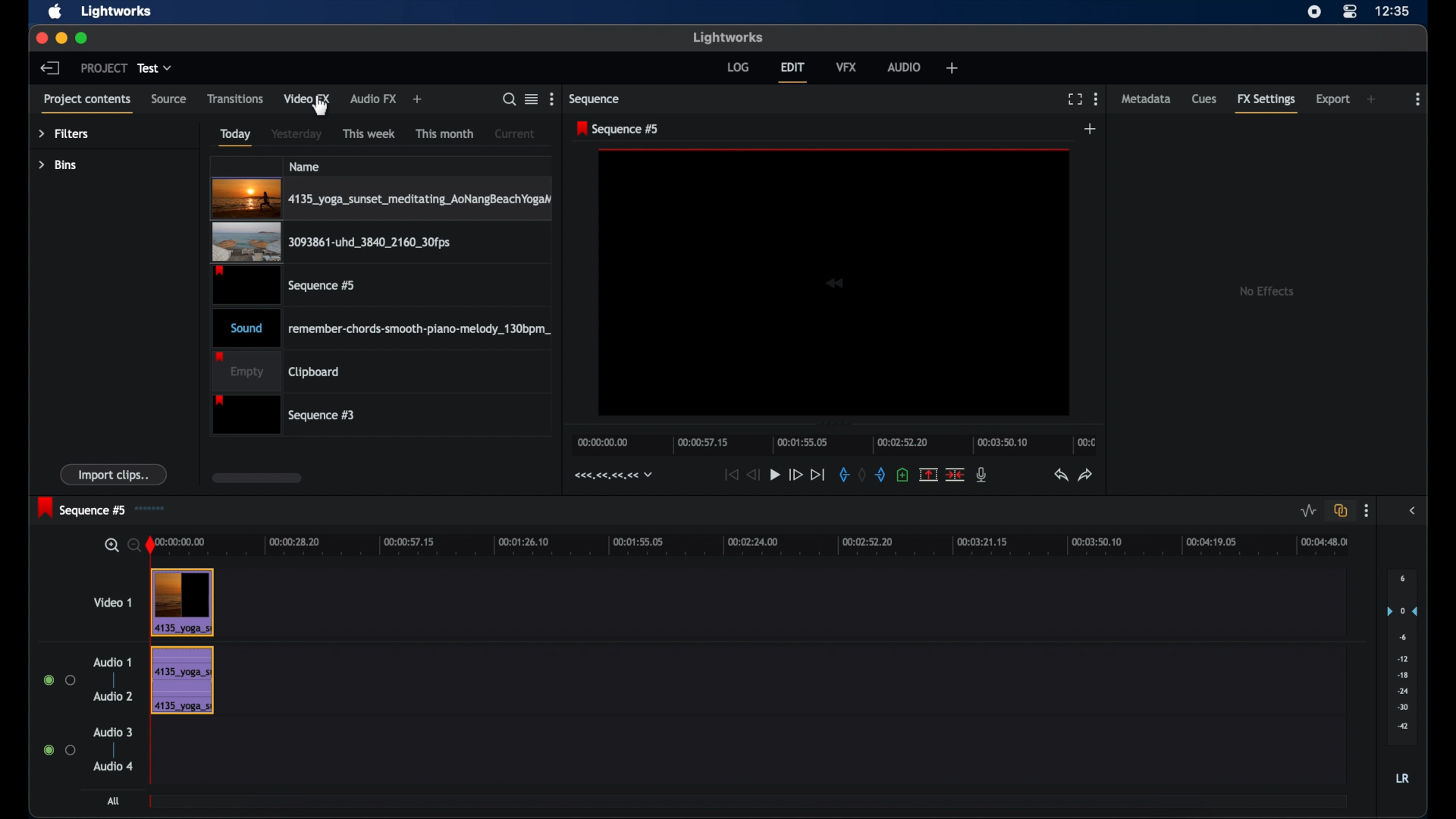  Describe the element at coordinates (1314, 12) in the screenshot. I see `screen recorder icon` at that location.